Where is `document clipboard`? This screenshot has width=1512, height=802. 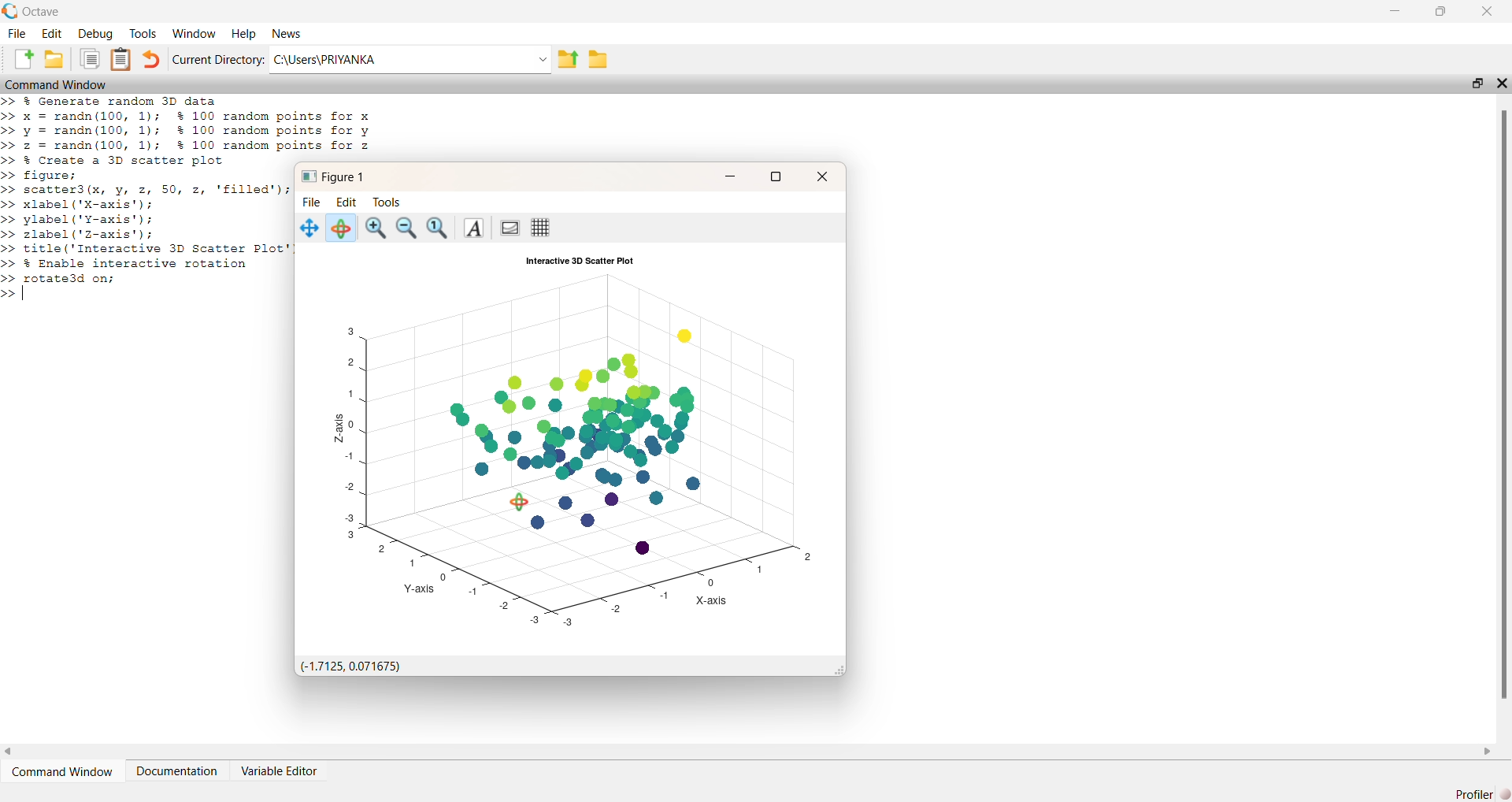
document clipboard is located at coordinates (120, 59).